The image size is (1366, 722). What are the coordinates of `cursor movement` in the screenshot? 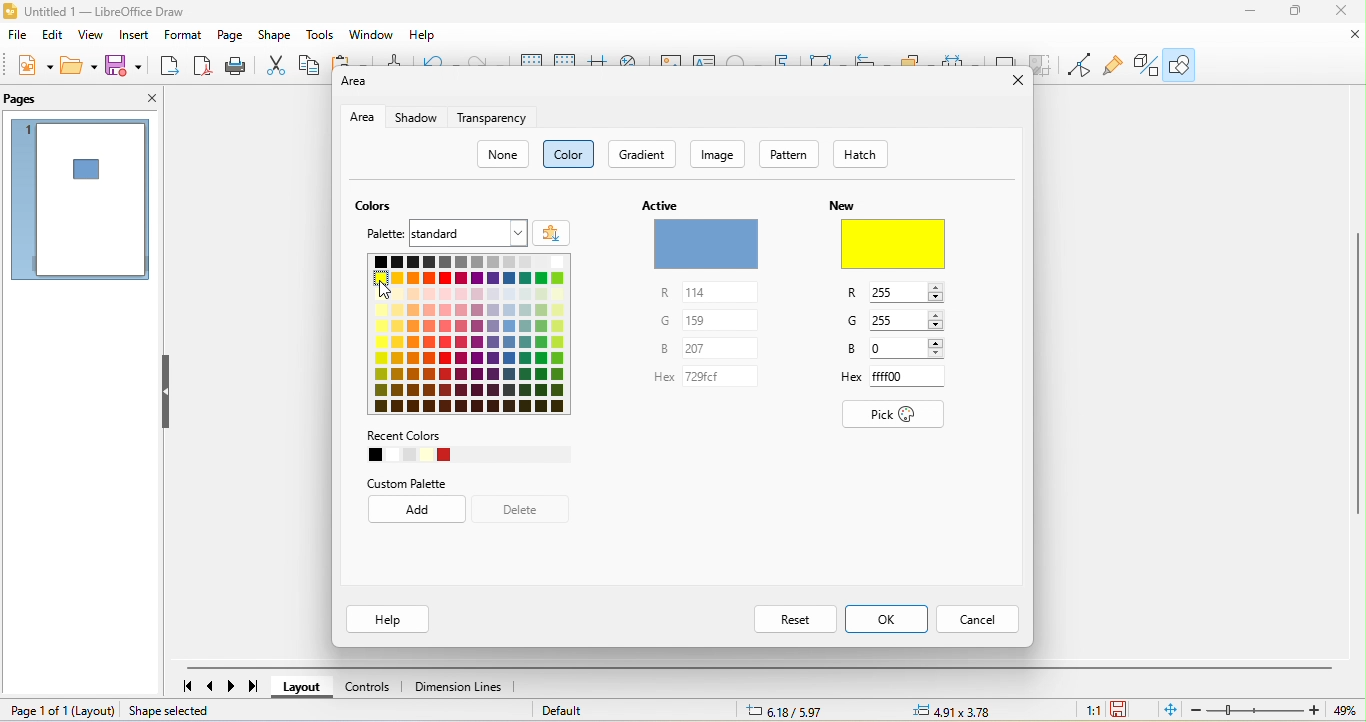 It's located at (387, 289).